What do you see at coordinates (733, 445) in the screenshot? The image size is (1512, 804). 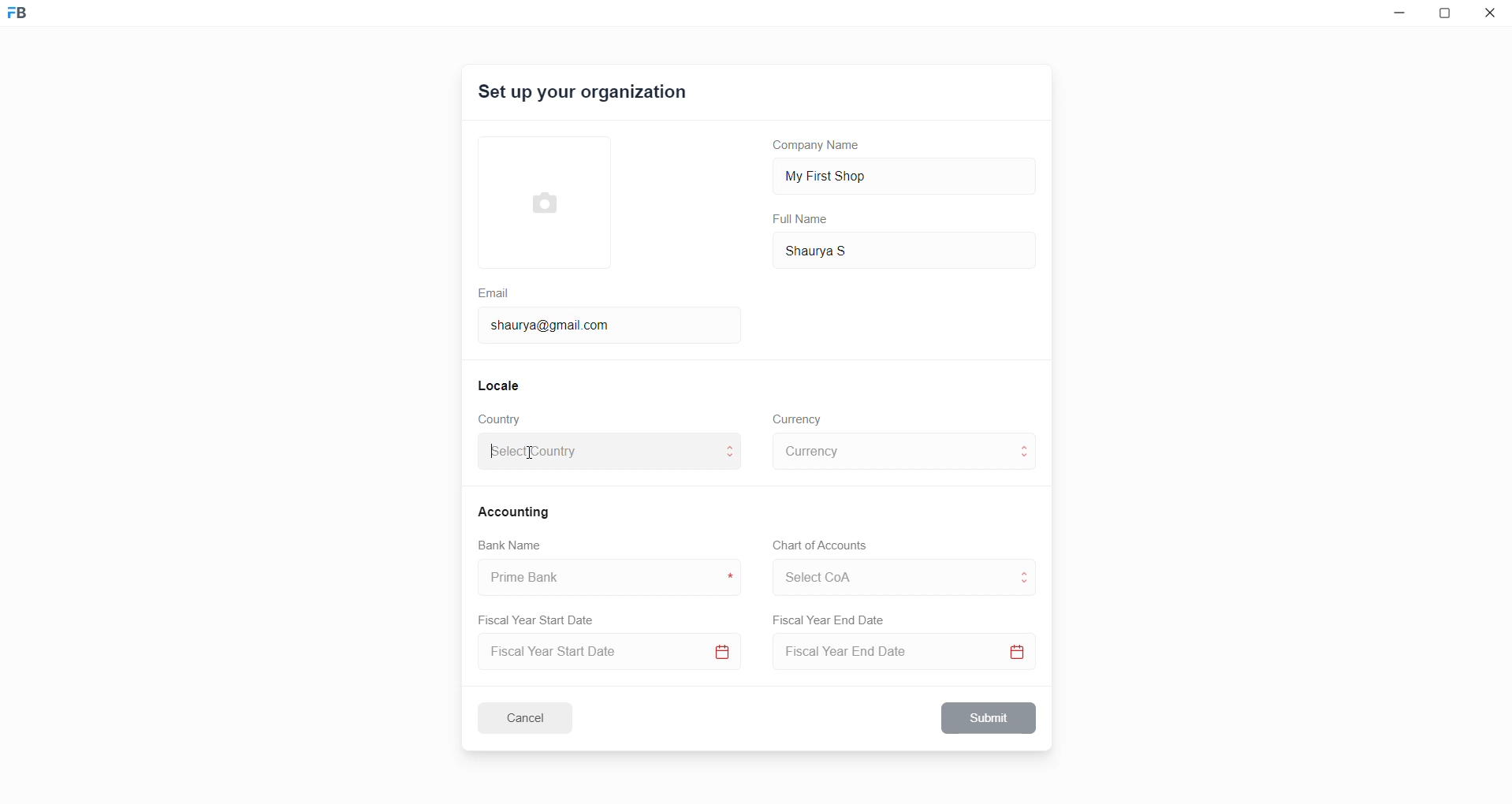 I see `move to above country` at bounding box center [733, 445].